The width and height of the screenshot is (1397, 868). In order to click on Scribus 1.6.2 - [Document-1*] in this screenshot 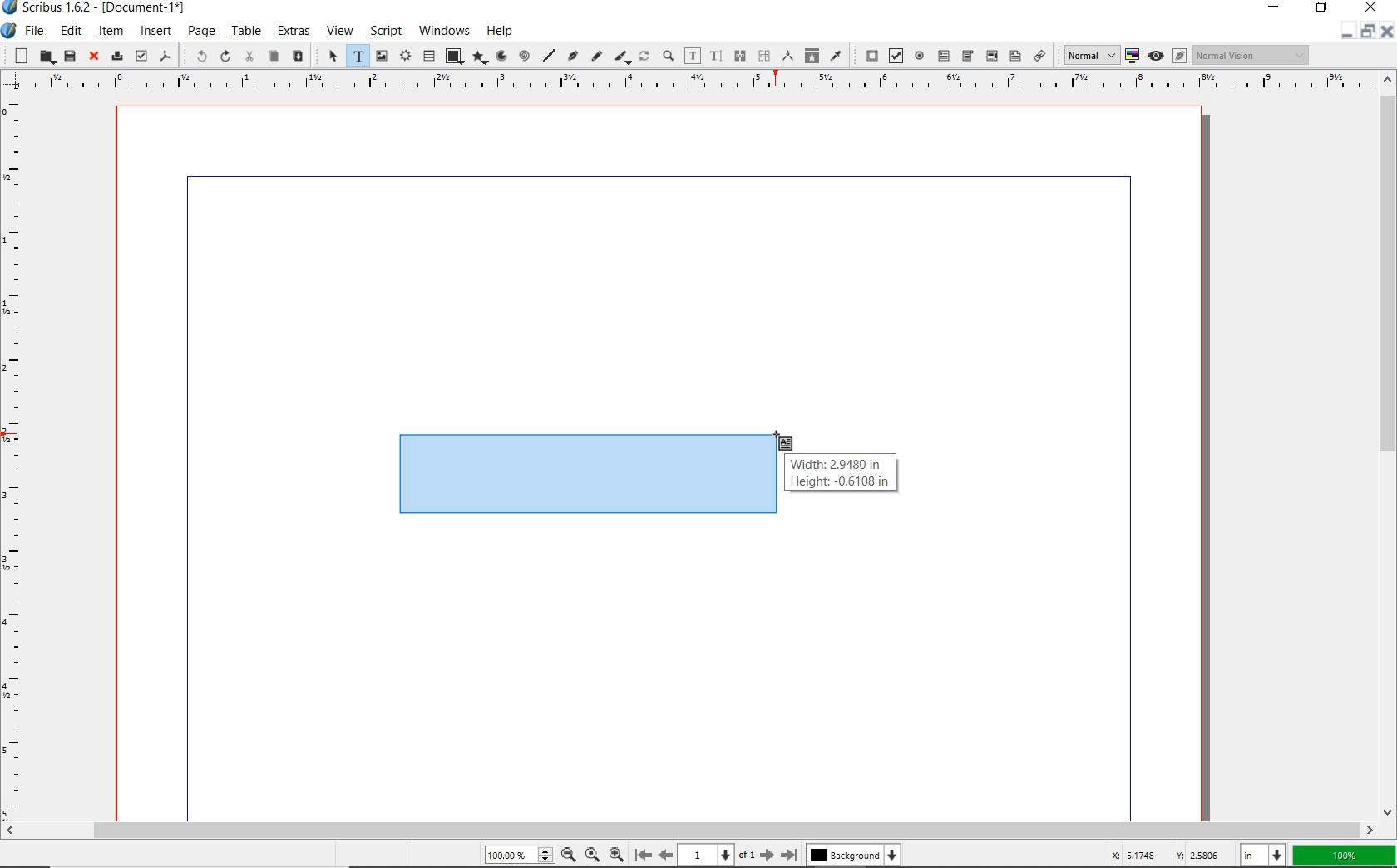, I will do `click(99, 10)`.